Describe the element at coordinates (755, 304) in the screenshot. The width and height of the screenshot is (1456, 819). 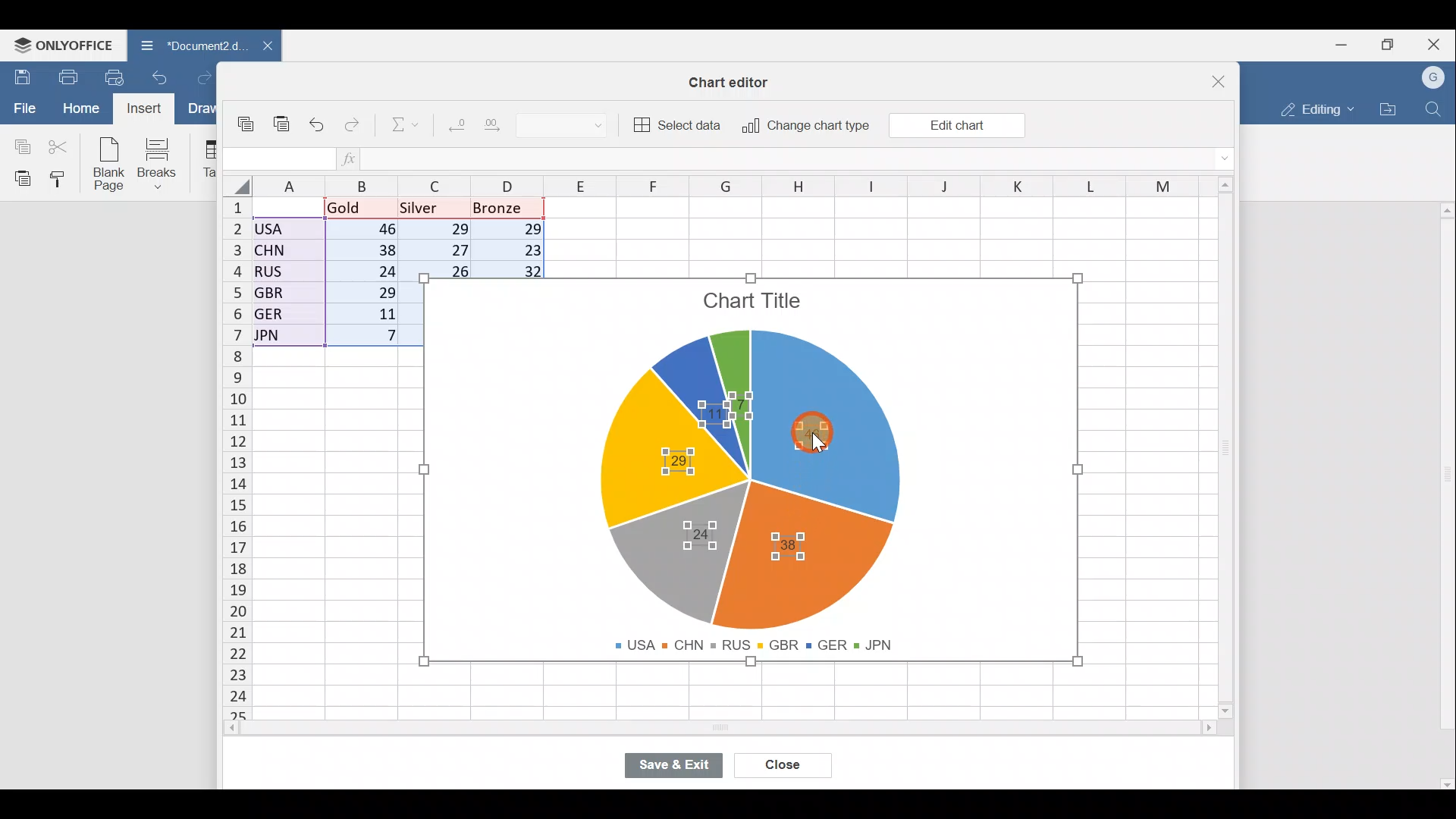
I see `Chart title` at that location.